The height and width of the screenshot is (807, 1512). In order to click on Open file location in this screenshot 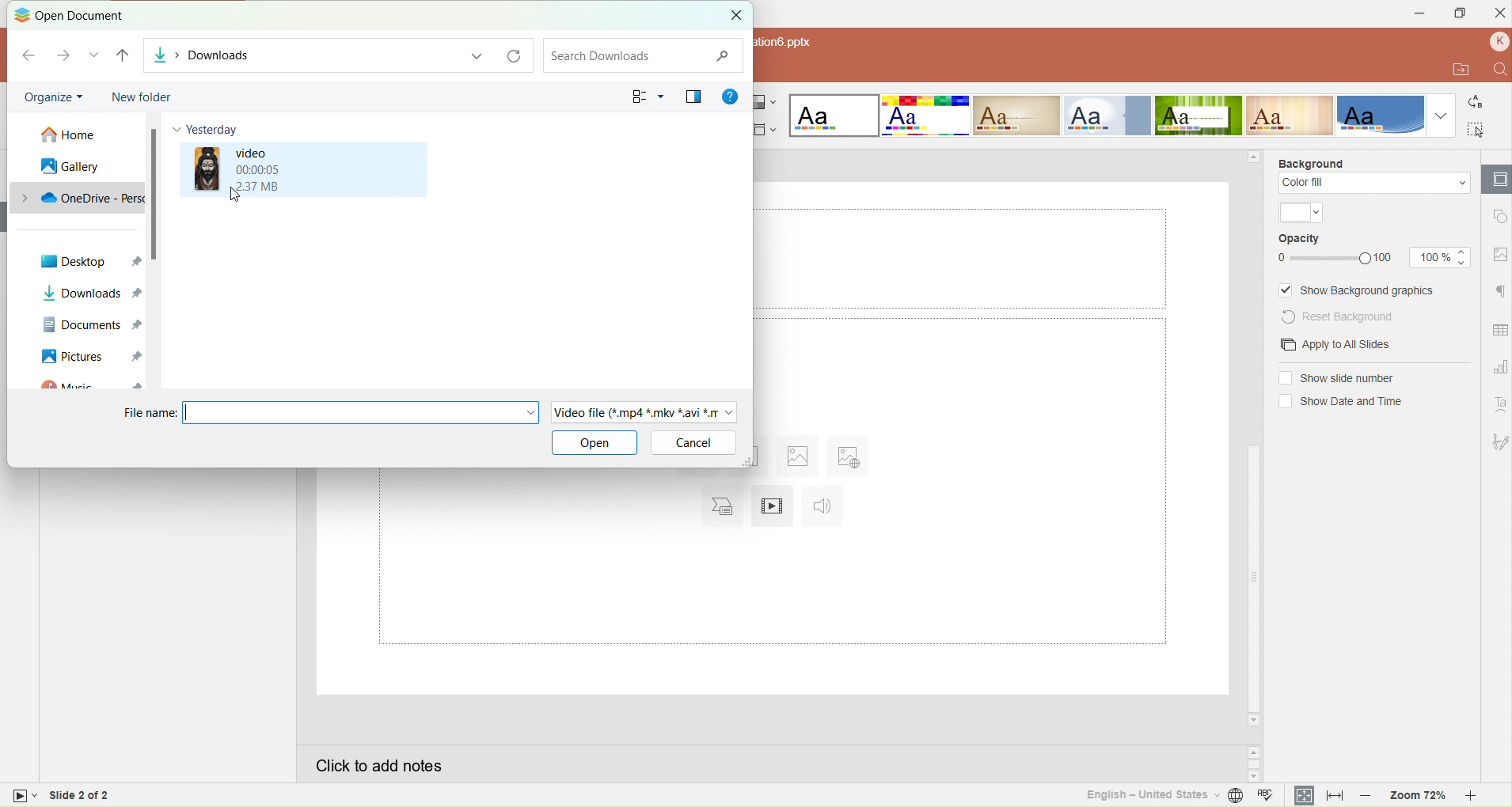, I will do `click(1461, 70)`.